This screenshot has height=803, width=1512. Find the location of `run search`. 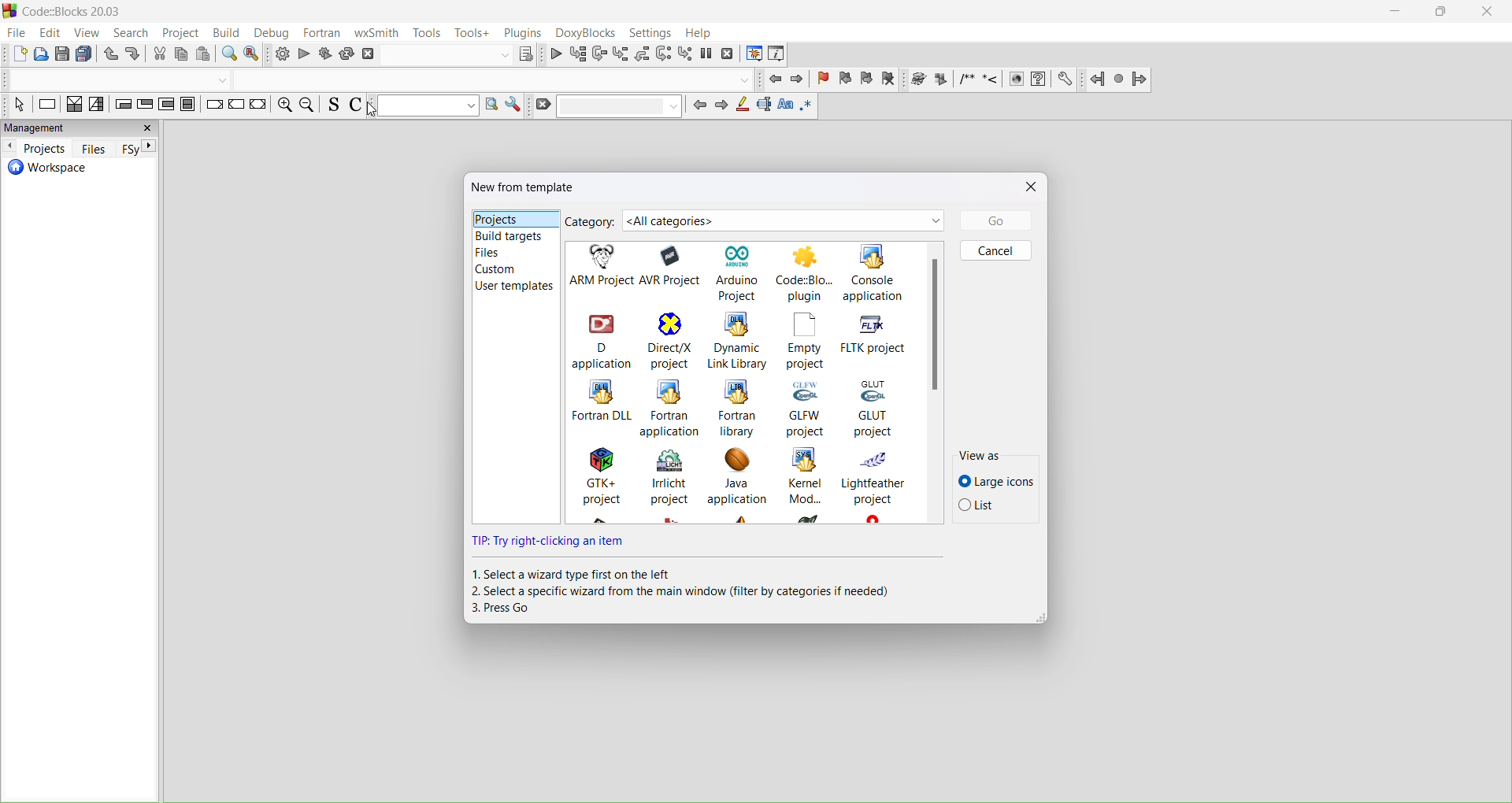

run search is located at coordinates (488, 106).